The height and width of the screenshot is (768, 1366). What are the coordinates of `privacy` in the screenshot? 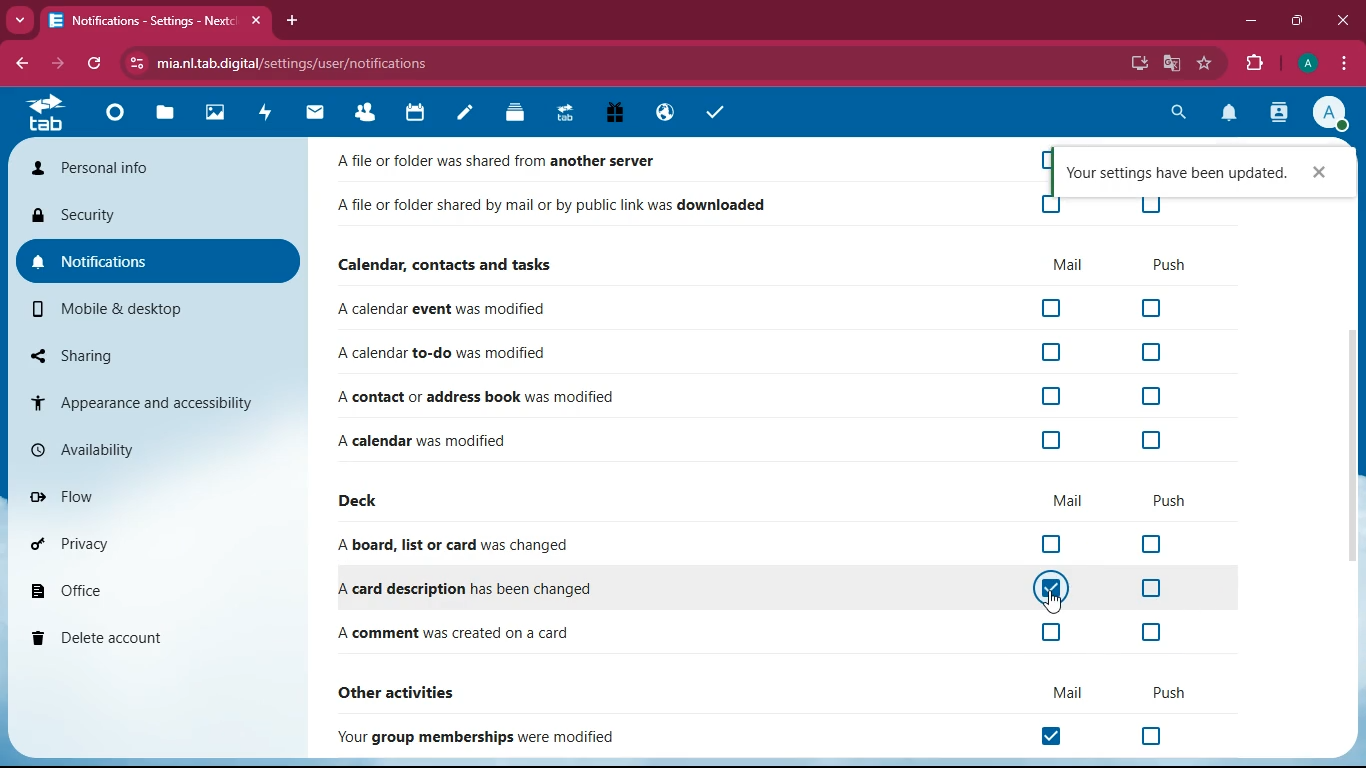 It's located at (150, 542).